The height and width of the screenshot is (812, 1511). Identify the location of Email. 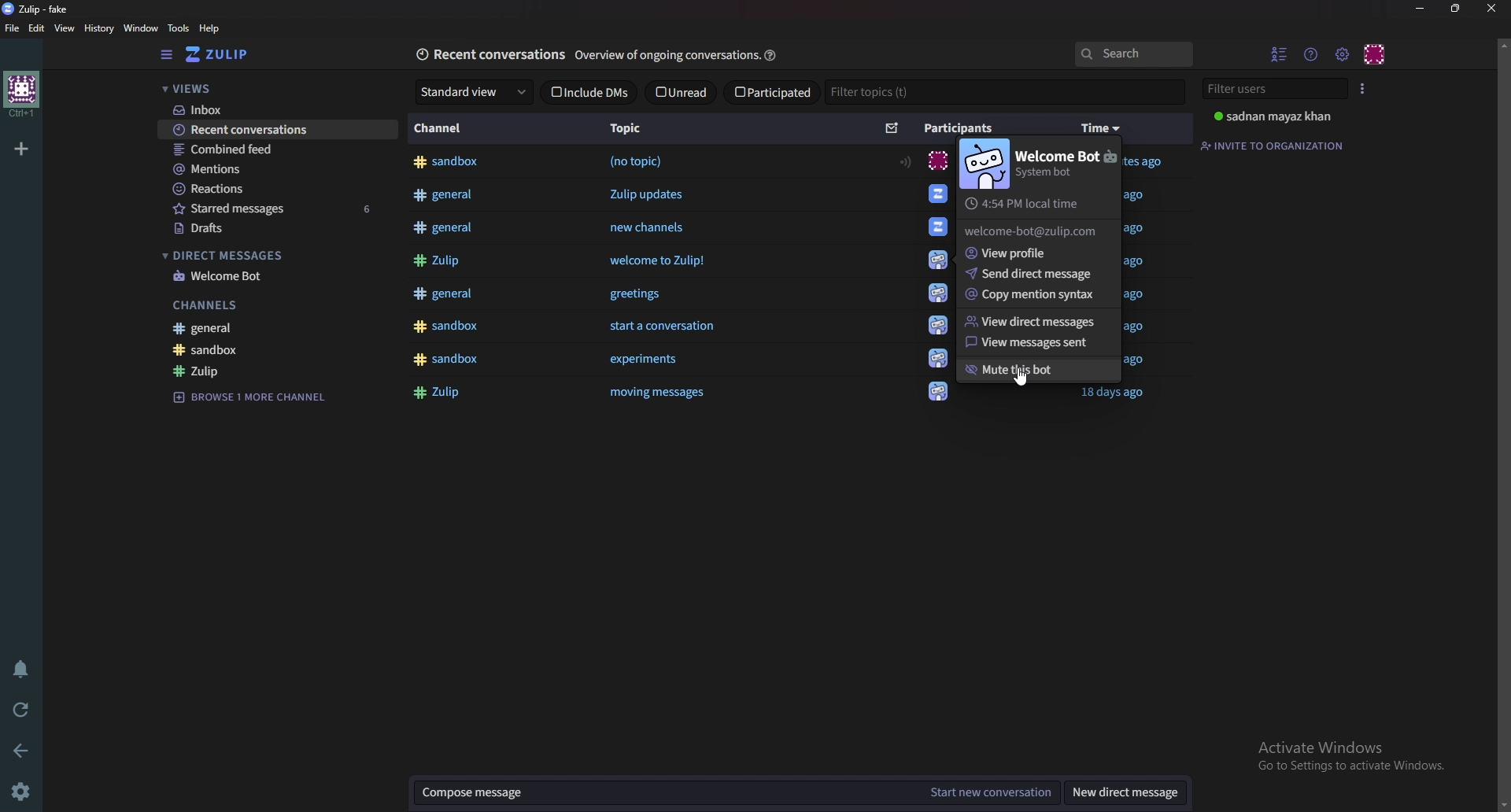
(1036, 232).